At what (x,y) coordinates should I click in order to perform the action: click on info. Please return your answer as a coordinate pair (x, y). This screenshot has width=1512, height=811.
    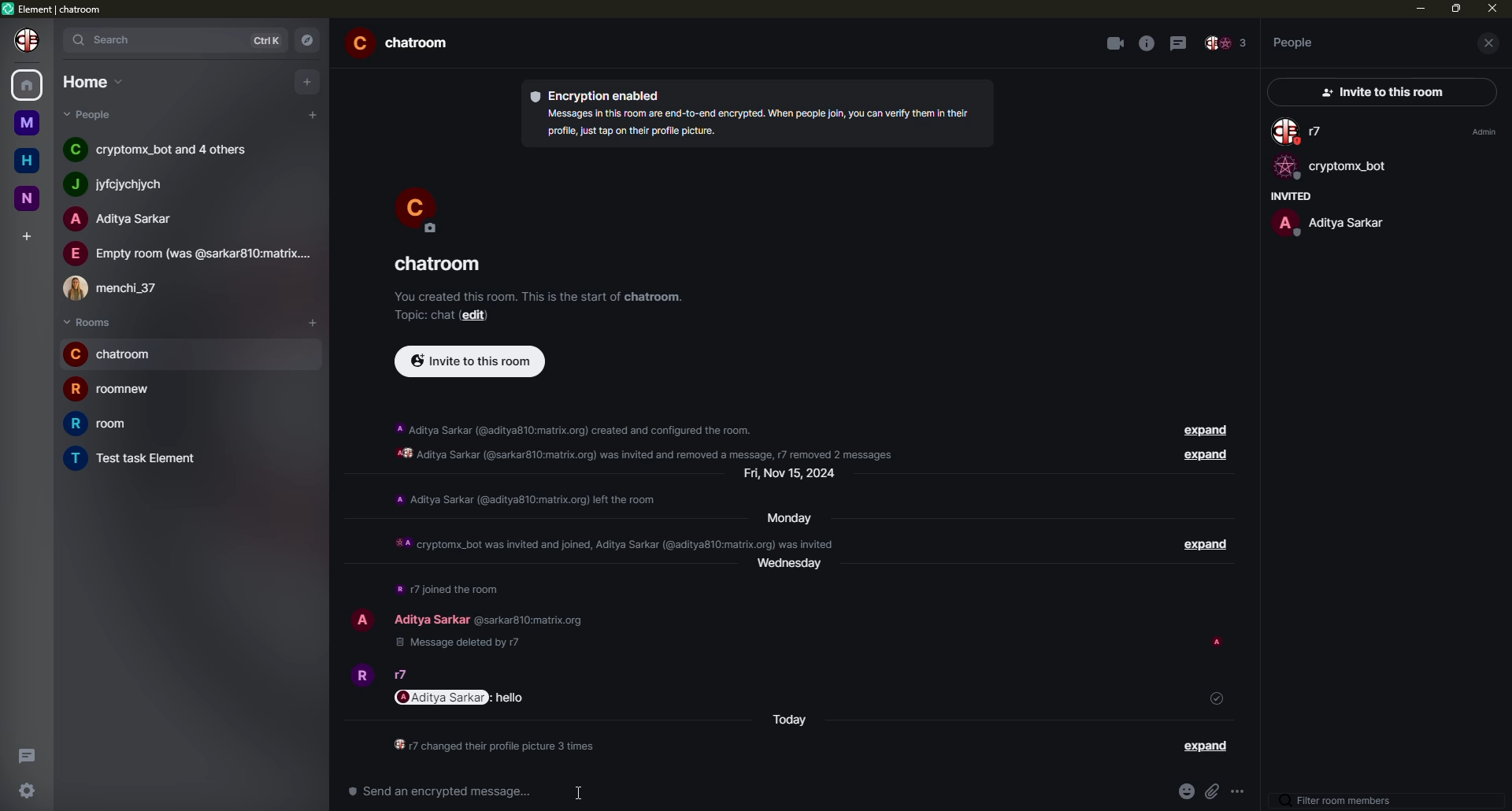
    Looking at the image, I should click on (754, 122).